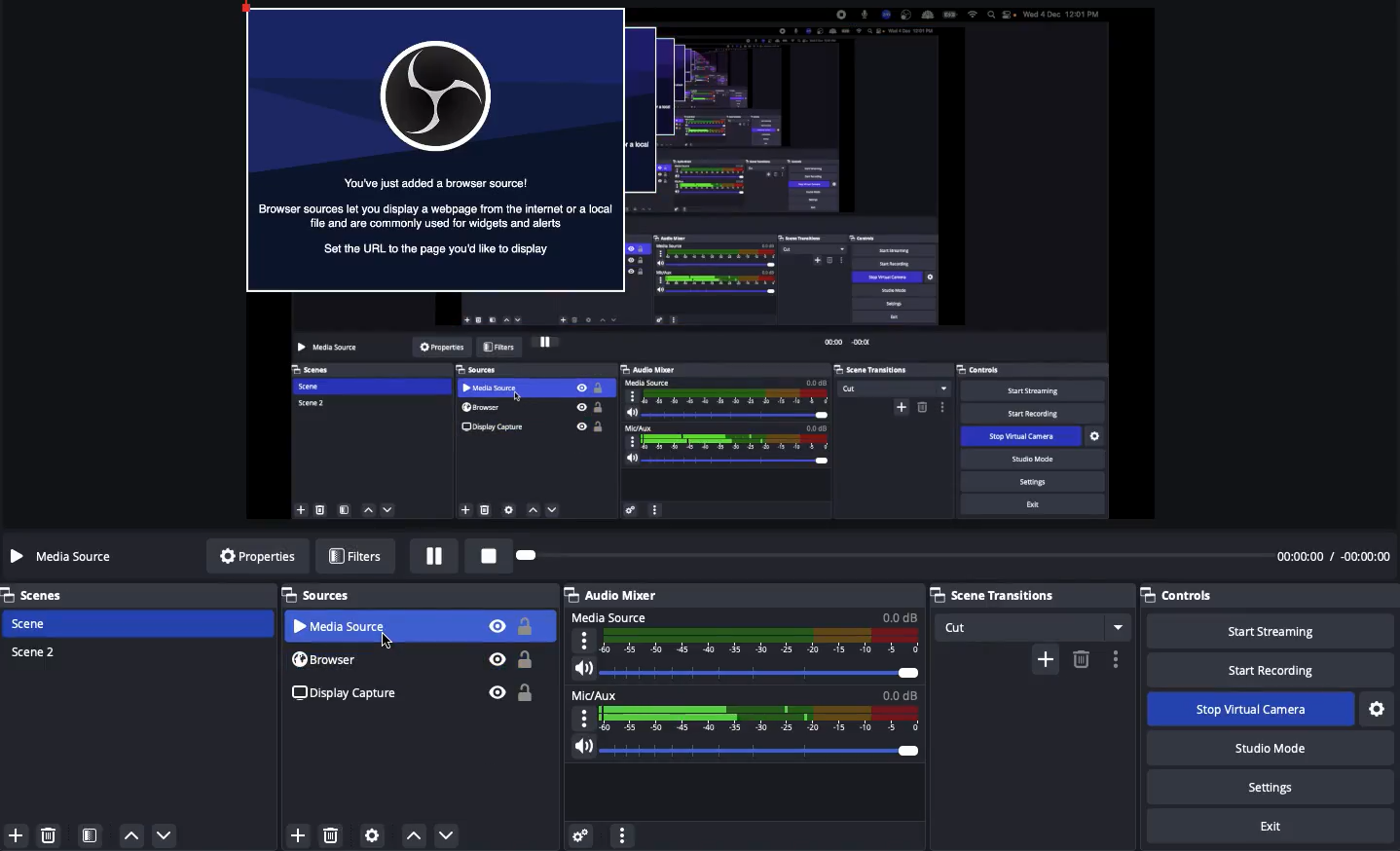  Describe the element at coordinates (256, 554) in the screenshot. I see `Properties` at that location.